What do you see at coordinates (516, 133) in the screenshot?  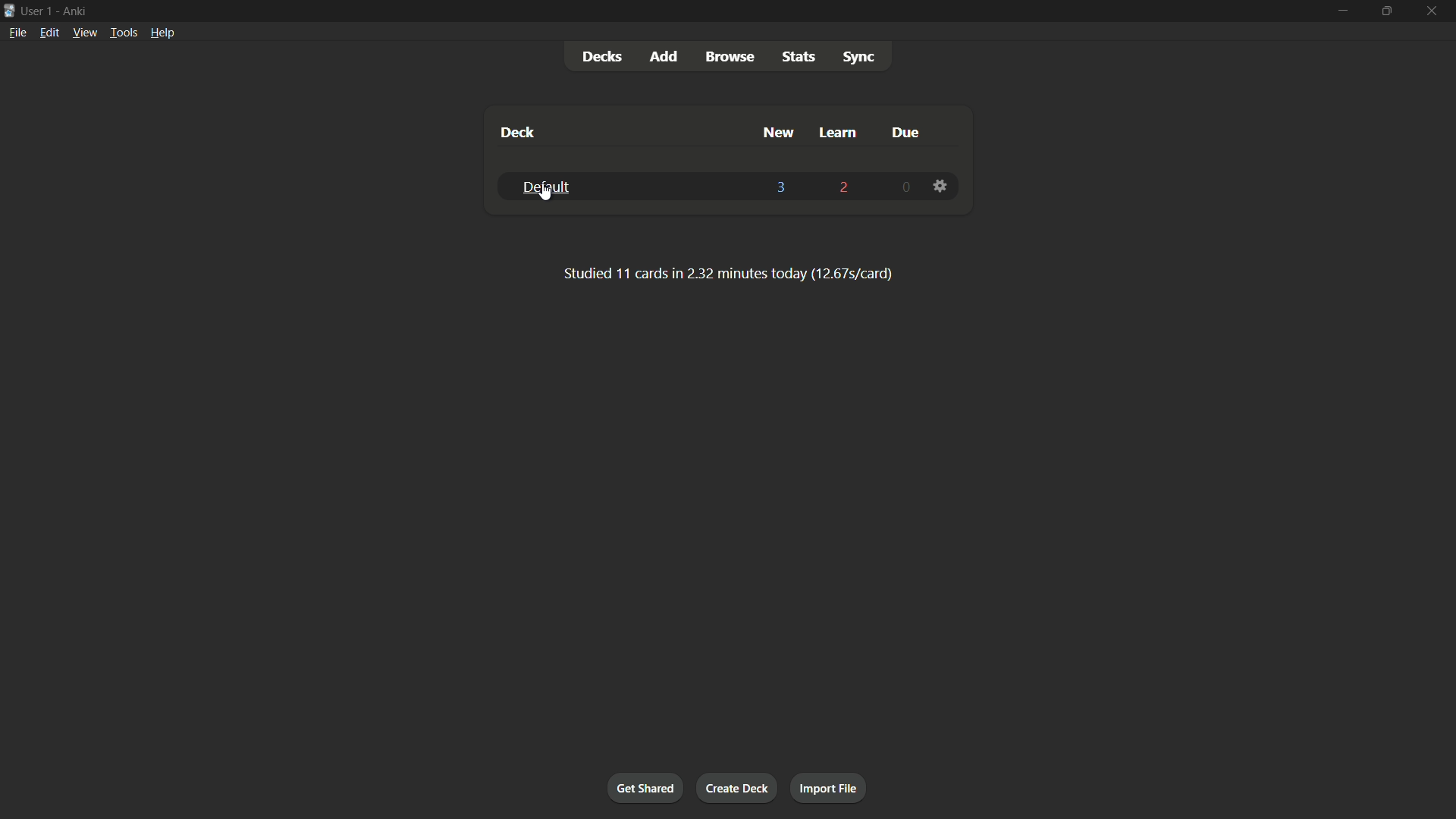 I see `deck` at bounding box center [516, 133].